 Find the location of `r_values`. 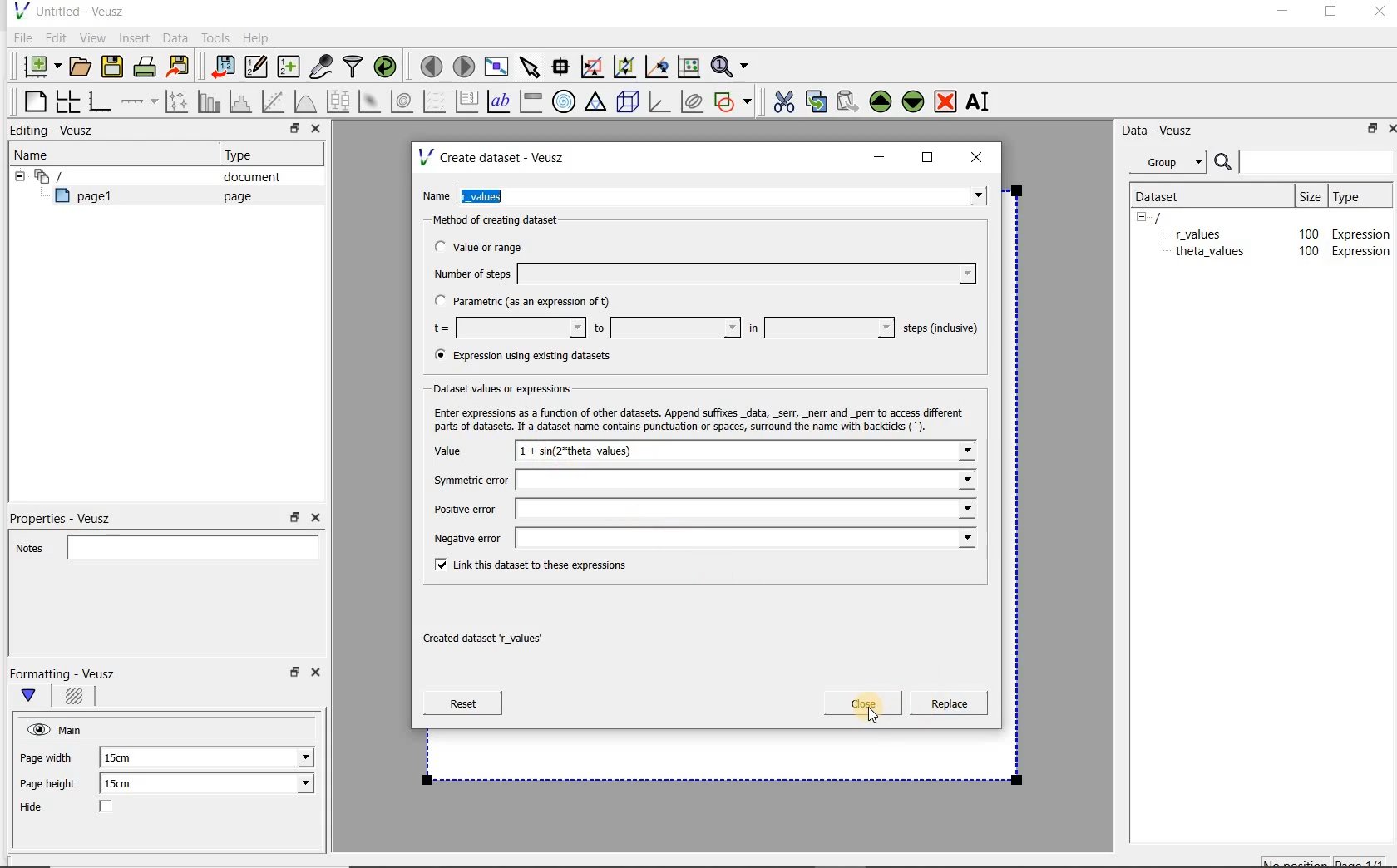

r_values is located at coordinates (723, 194).